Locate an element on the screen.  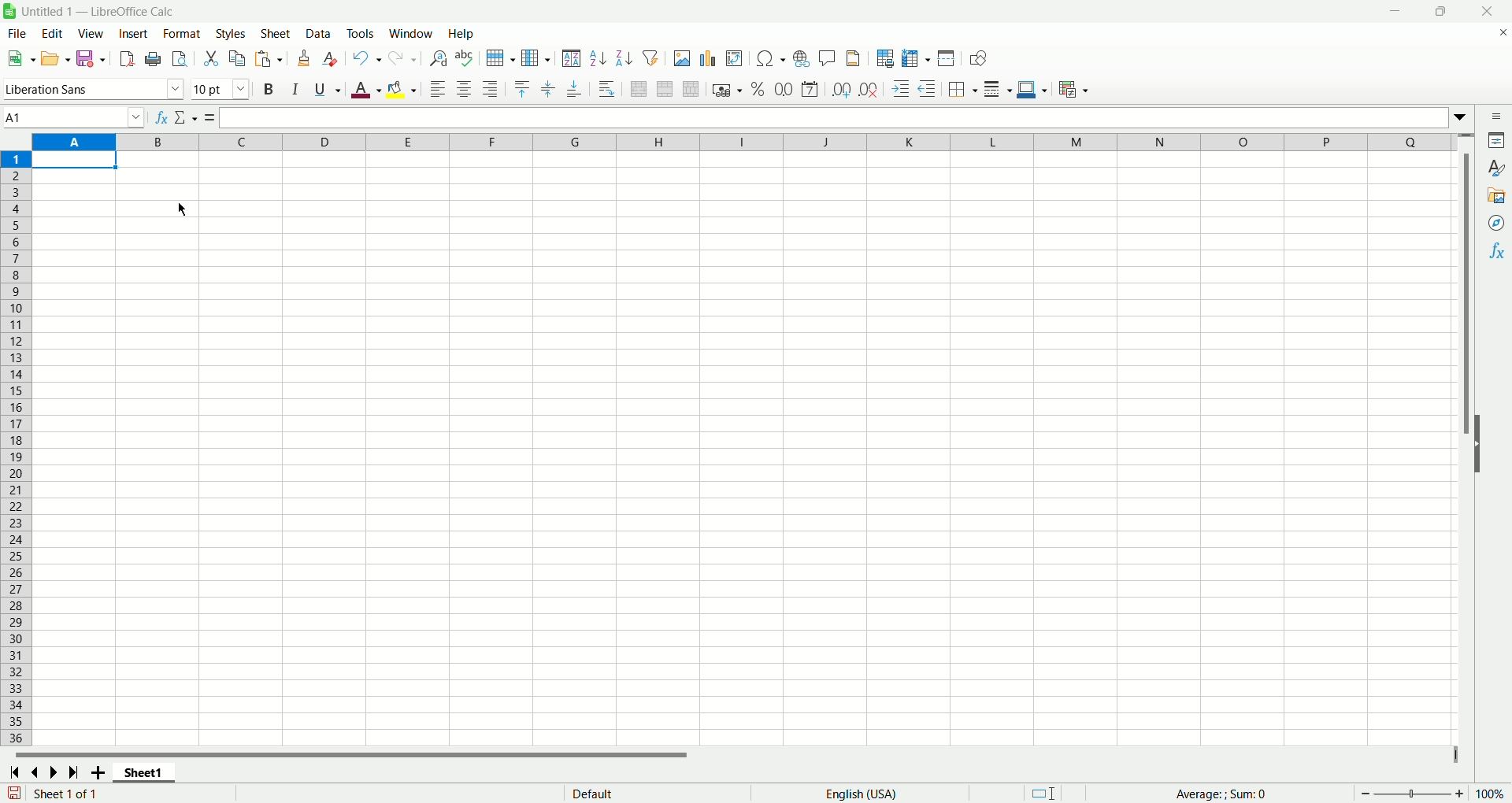
text language is located at coordinates (860, 794).